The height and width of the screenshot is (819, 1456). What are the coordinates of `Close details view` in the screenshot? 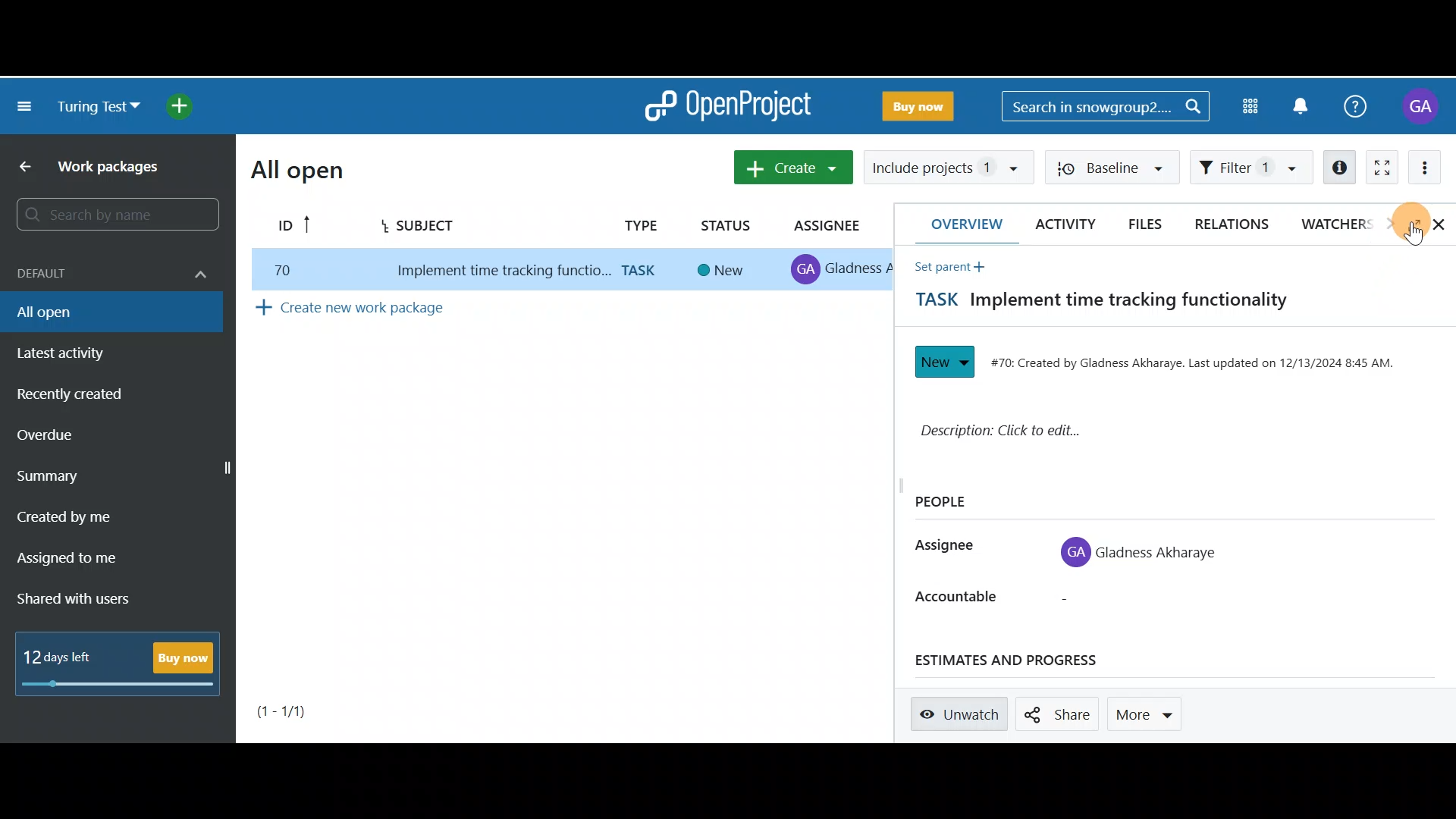 It's located at (1442, 227).